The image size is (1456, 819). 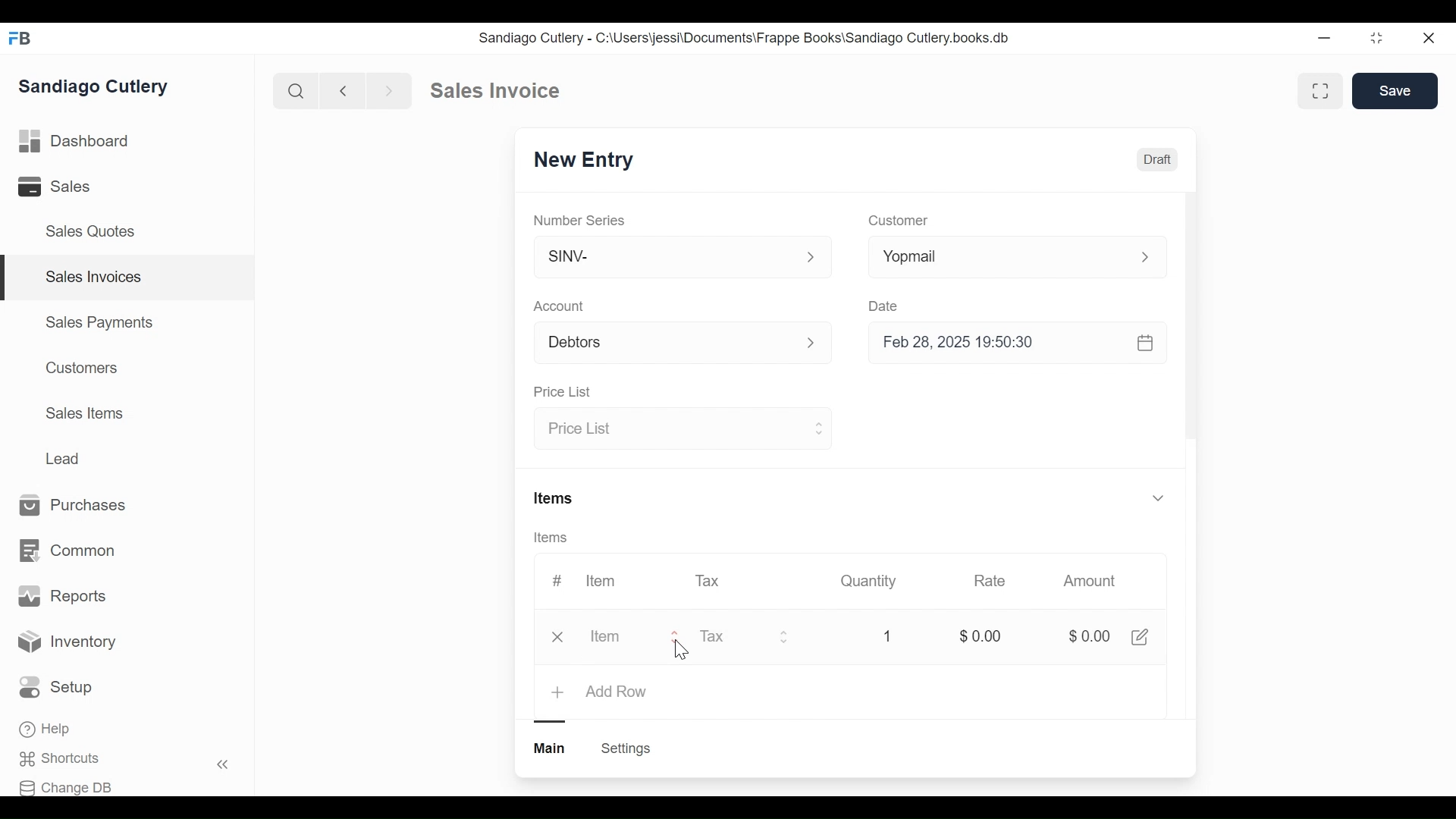 I want to click on Amount, so click(x=1090, y=581).